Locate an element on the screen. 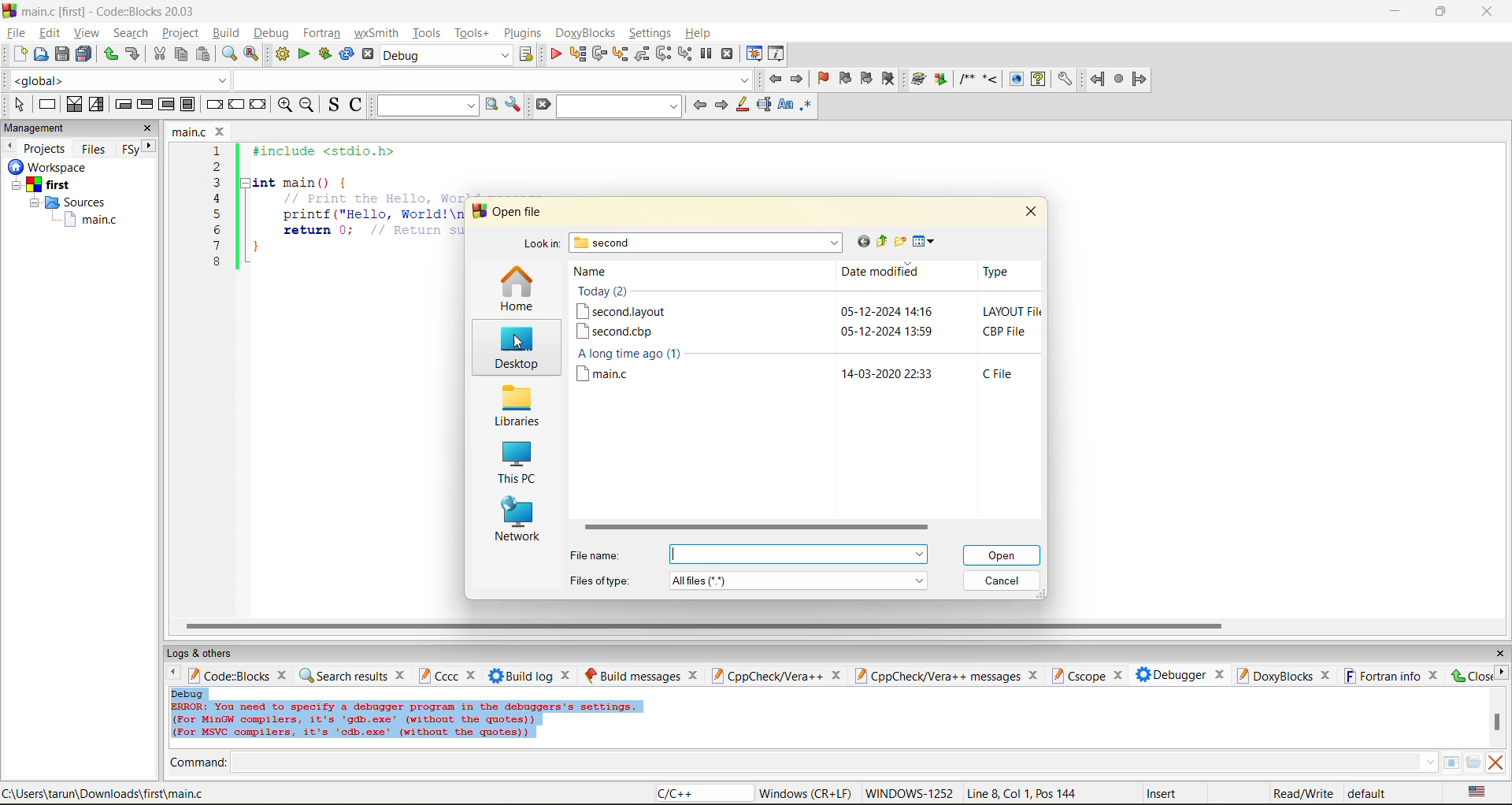  select is located at coordinates (19, 104).